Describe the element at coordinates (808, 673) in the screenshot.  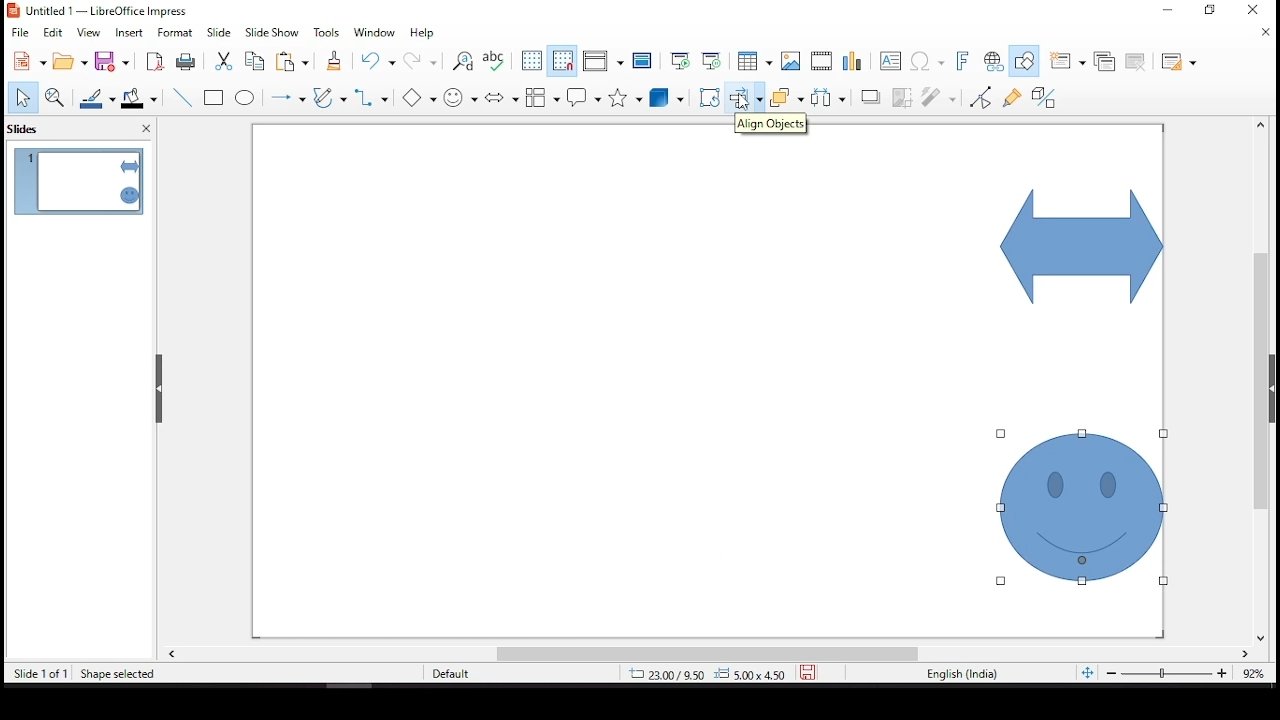
I see `save` at that location.